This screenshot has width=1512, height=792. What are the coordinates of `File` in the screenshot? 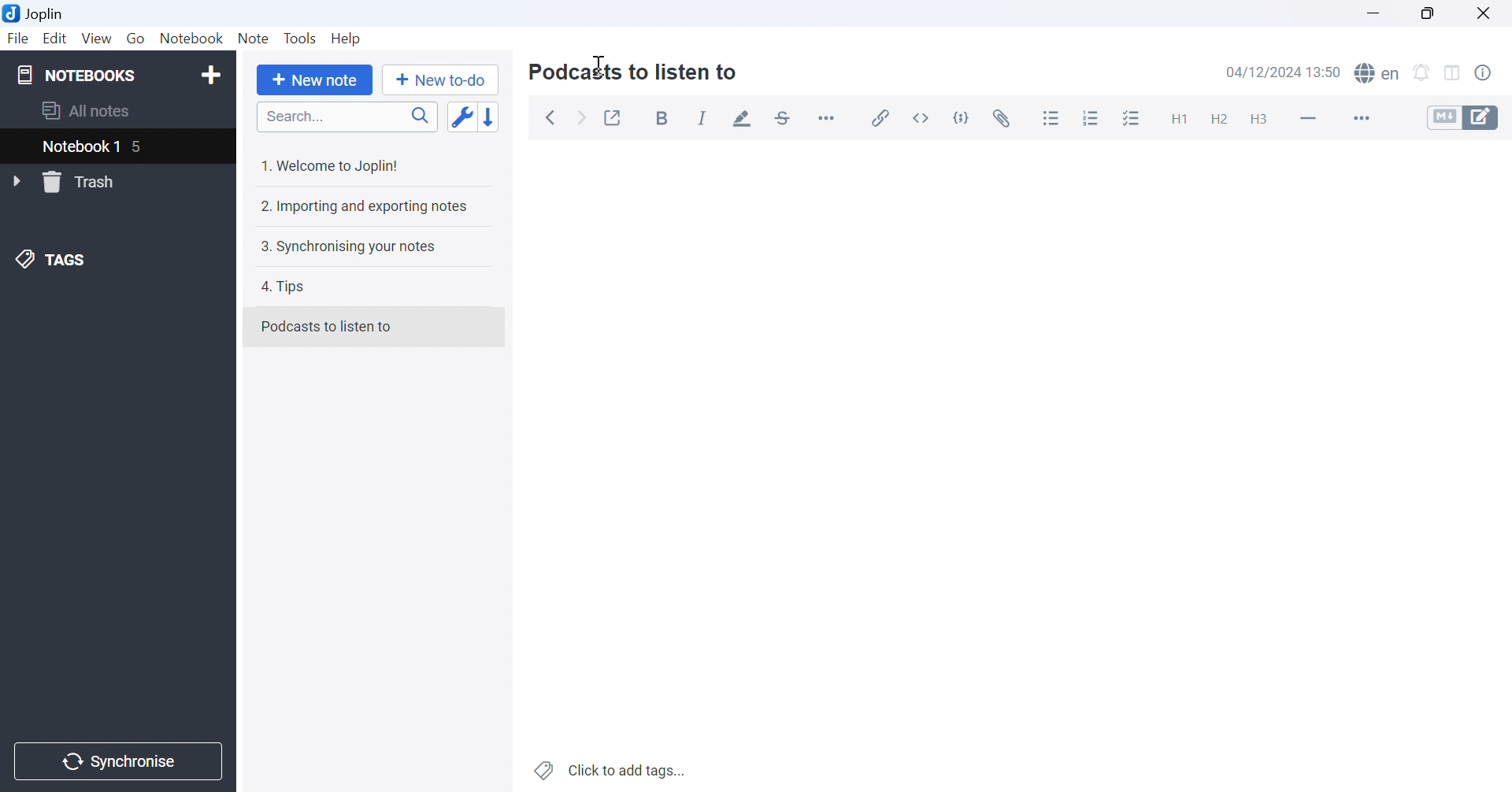 It's located at (18, 40).